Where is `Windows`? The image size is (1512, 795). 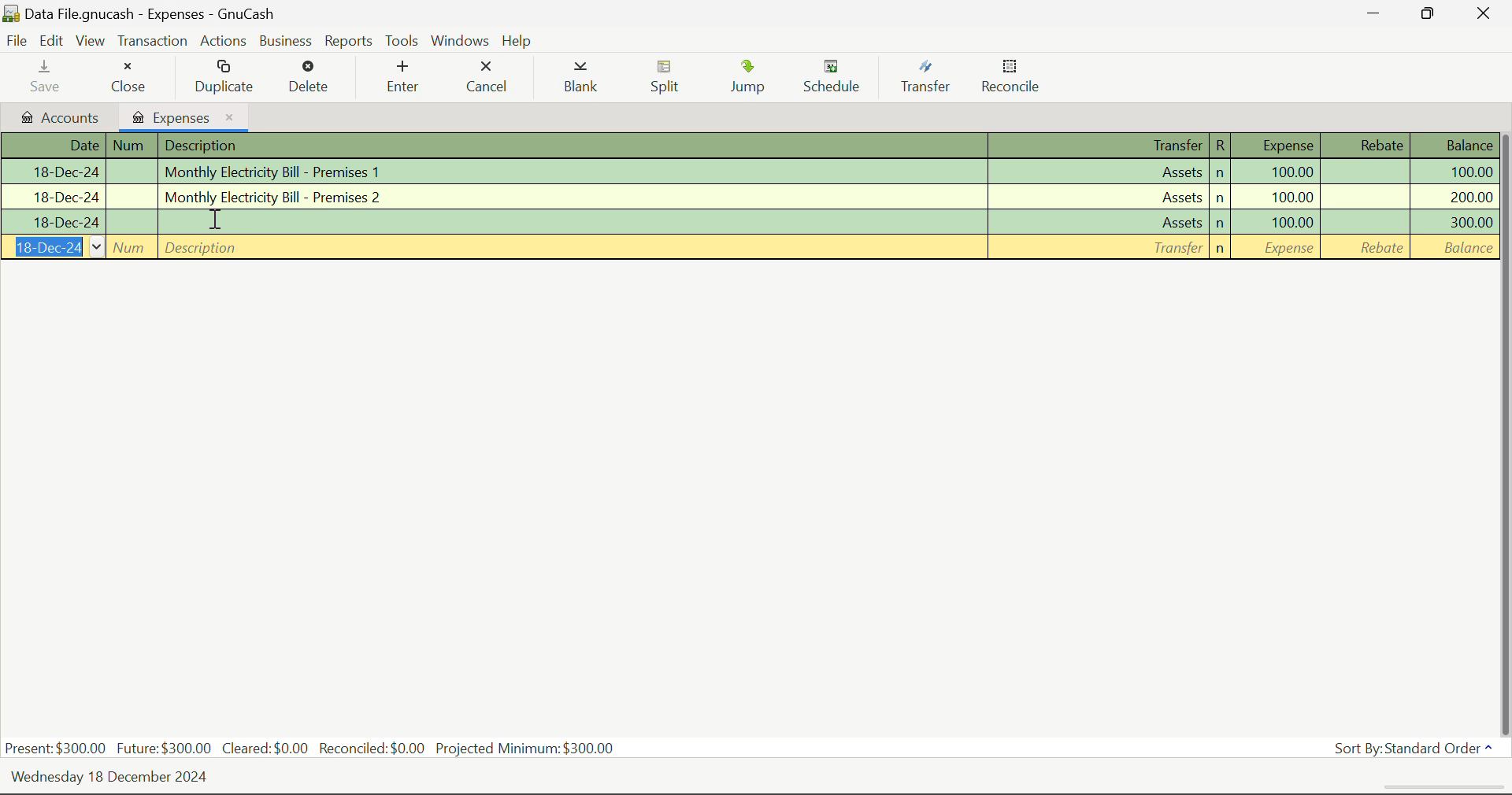
Windows is located at coordinates (458, 41).